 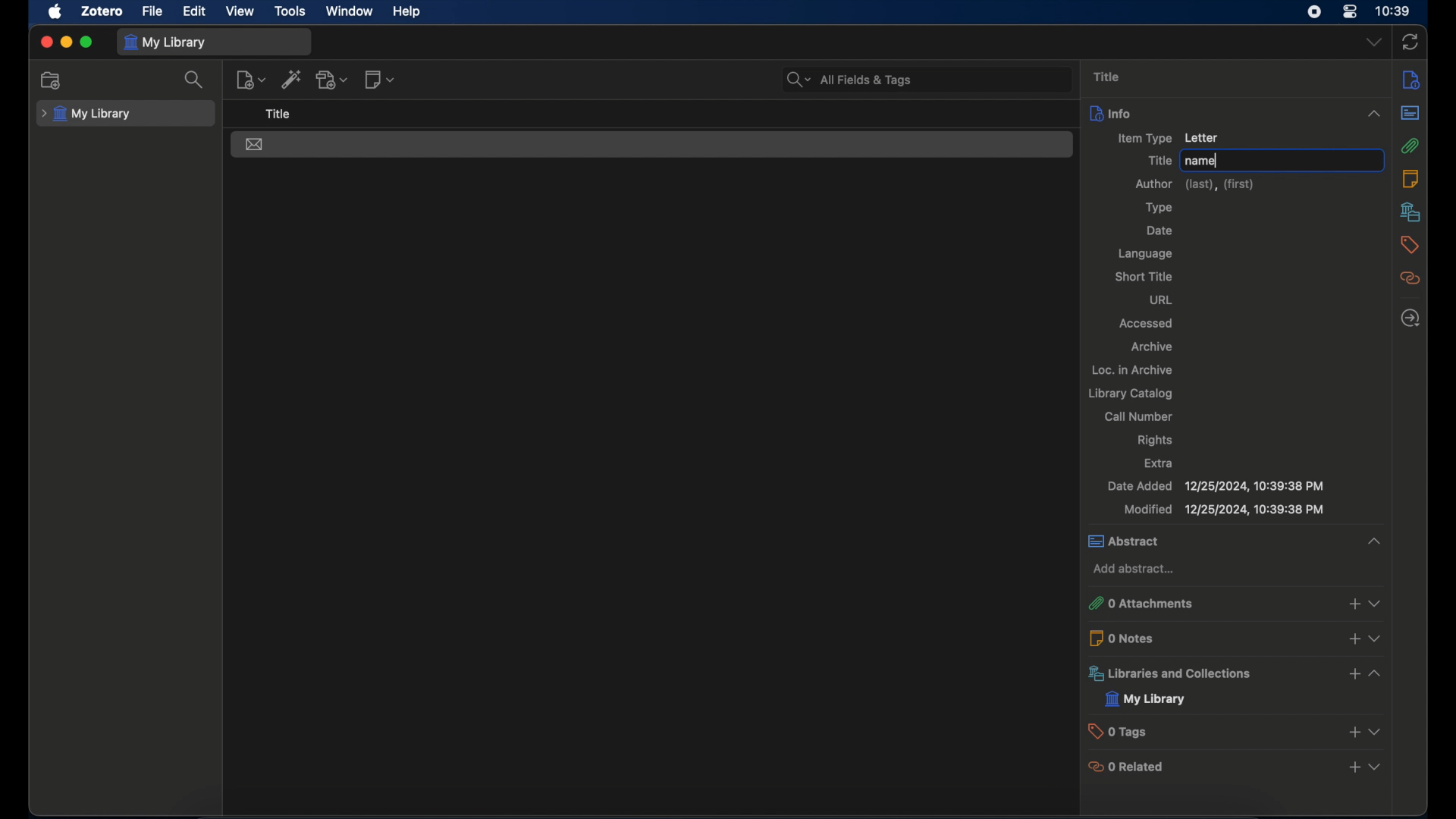 I want to click on close, so click(x=45, y=42).